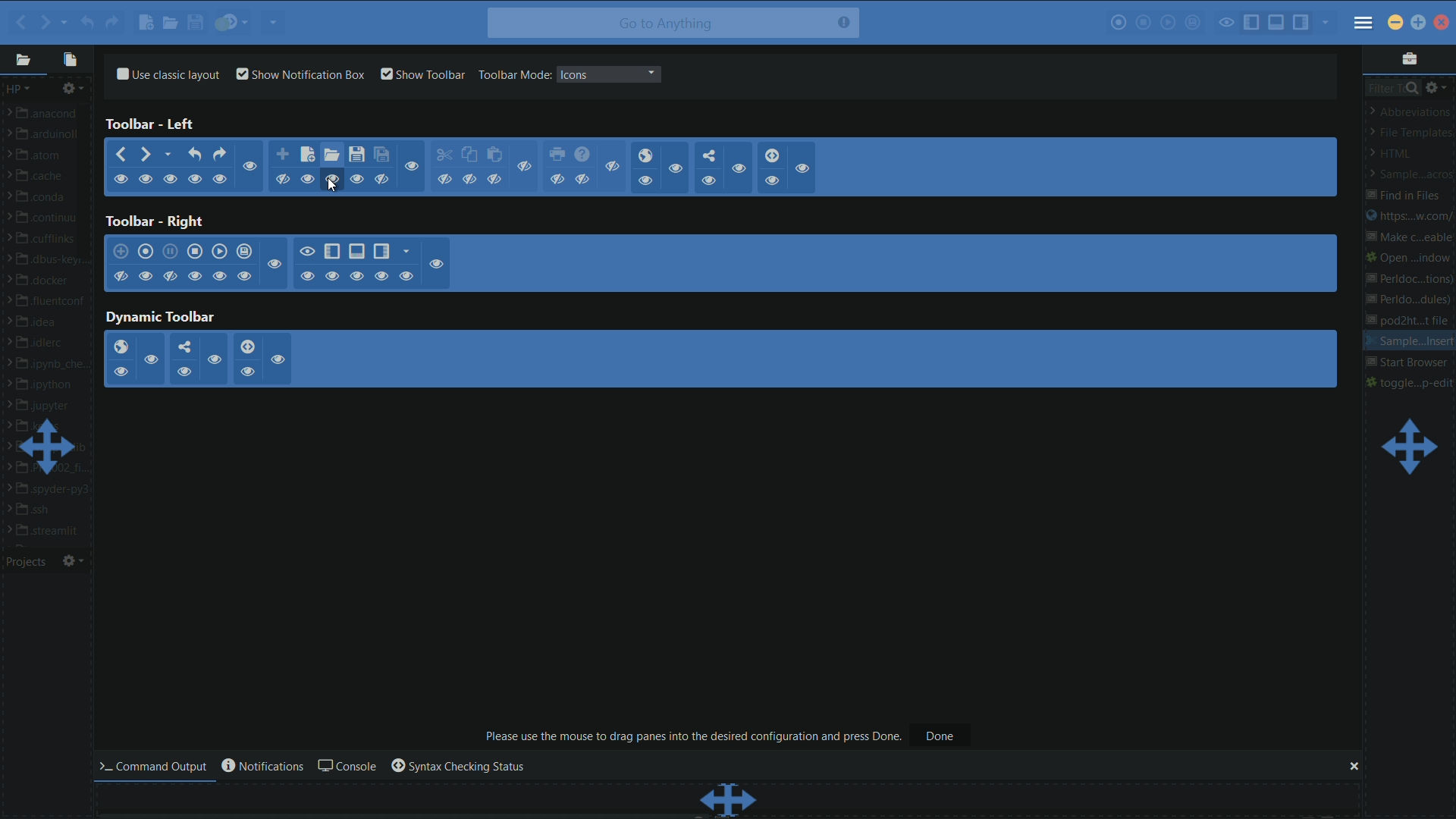  What do you see at coordinates (196, 179) in the screenshot?
I see `show/hide` at bounding box center [196, 179].